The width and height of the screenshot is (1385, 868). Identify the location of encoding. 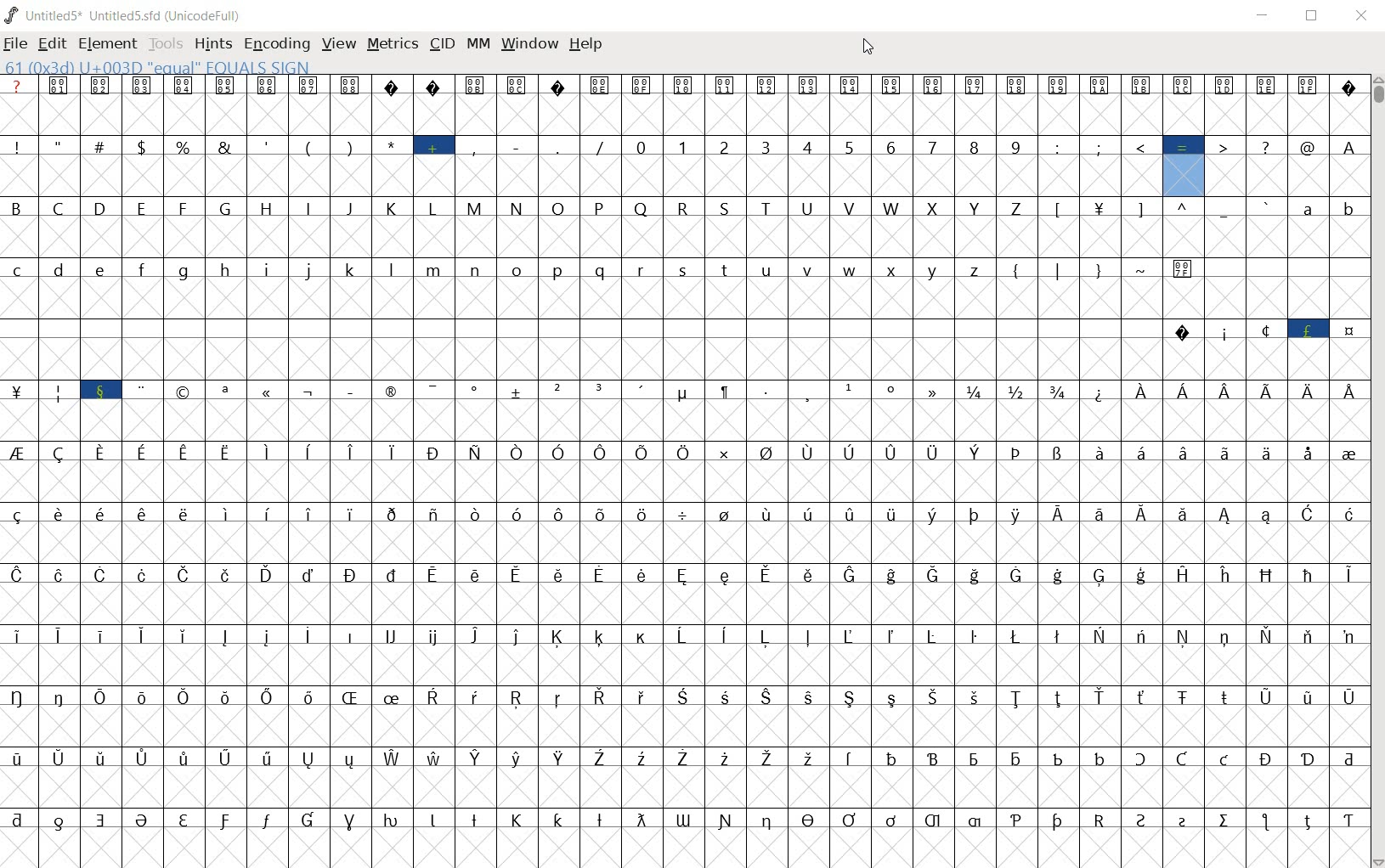
(276, 42).